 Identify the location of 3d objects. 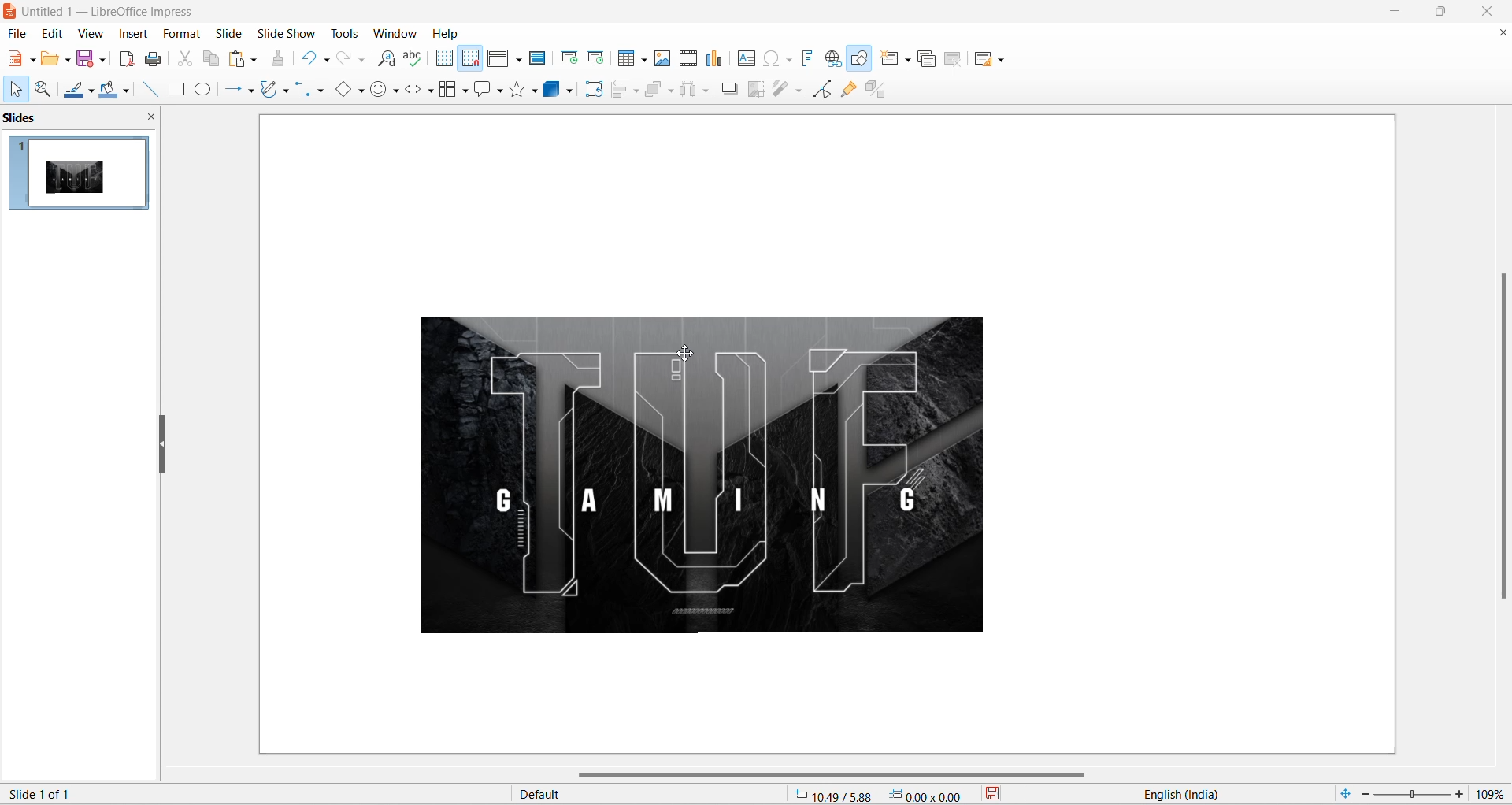
(554, 89).